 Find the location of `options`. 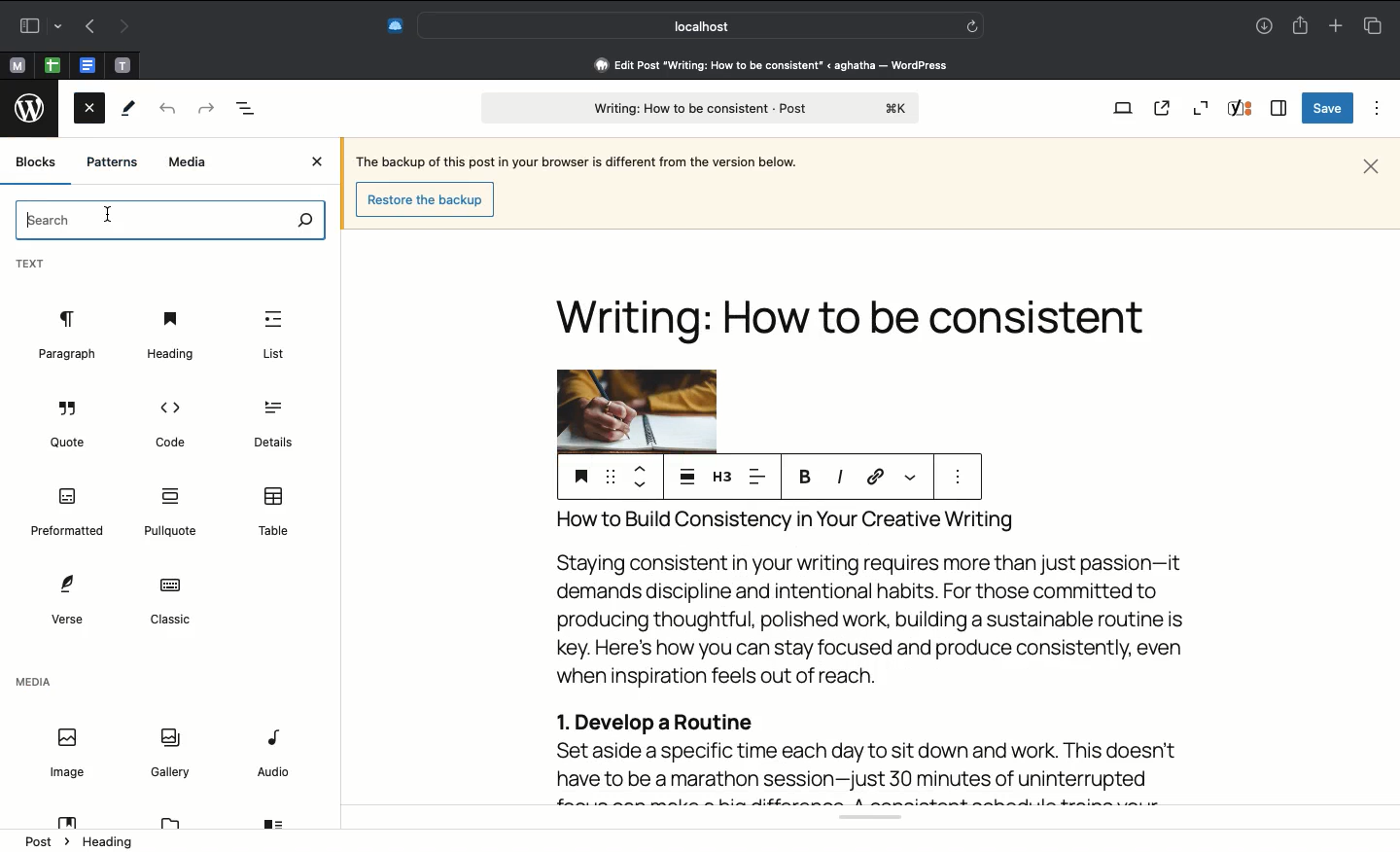

options is located at coordinates (958, 478).